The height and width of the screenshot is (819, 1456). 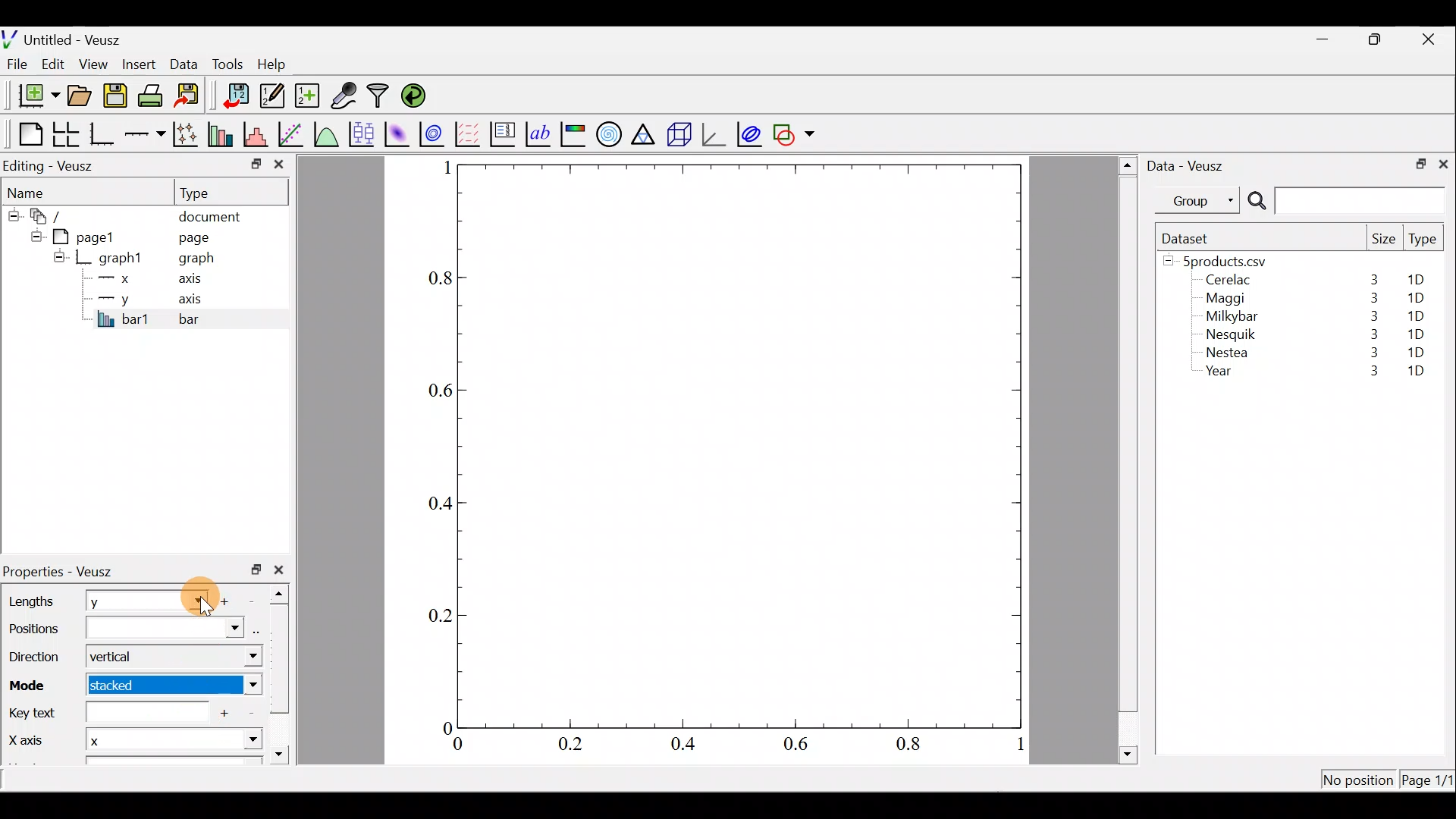 I want to click on Length dropdown, so click(x=191, y=600).